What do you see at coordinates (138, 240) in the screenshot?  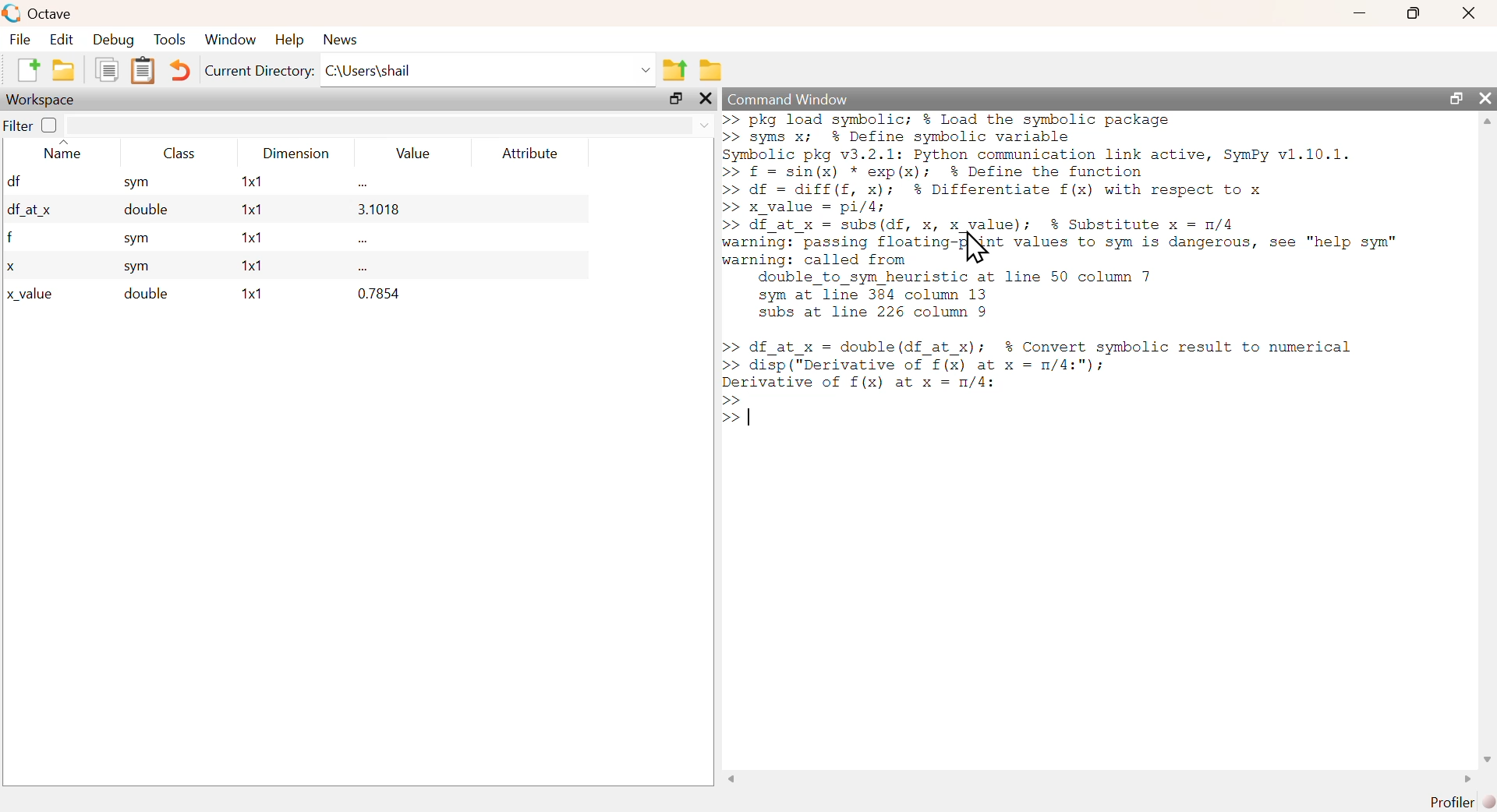 I see `sym` at bounding box center [138, 240].